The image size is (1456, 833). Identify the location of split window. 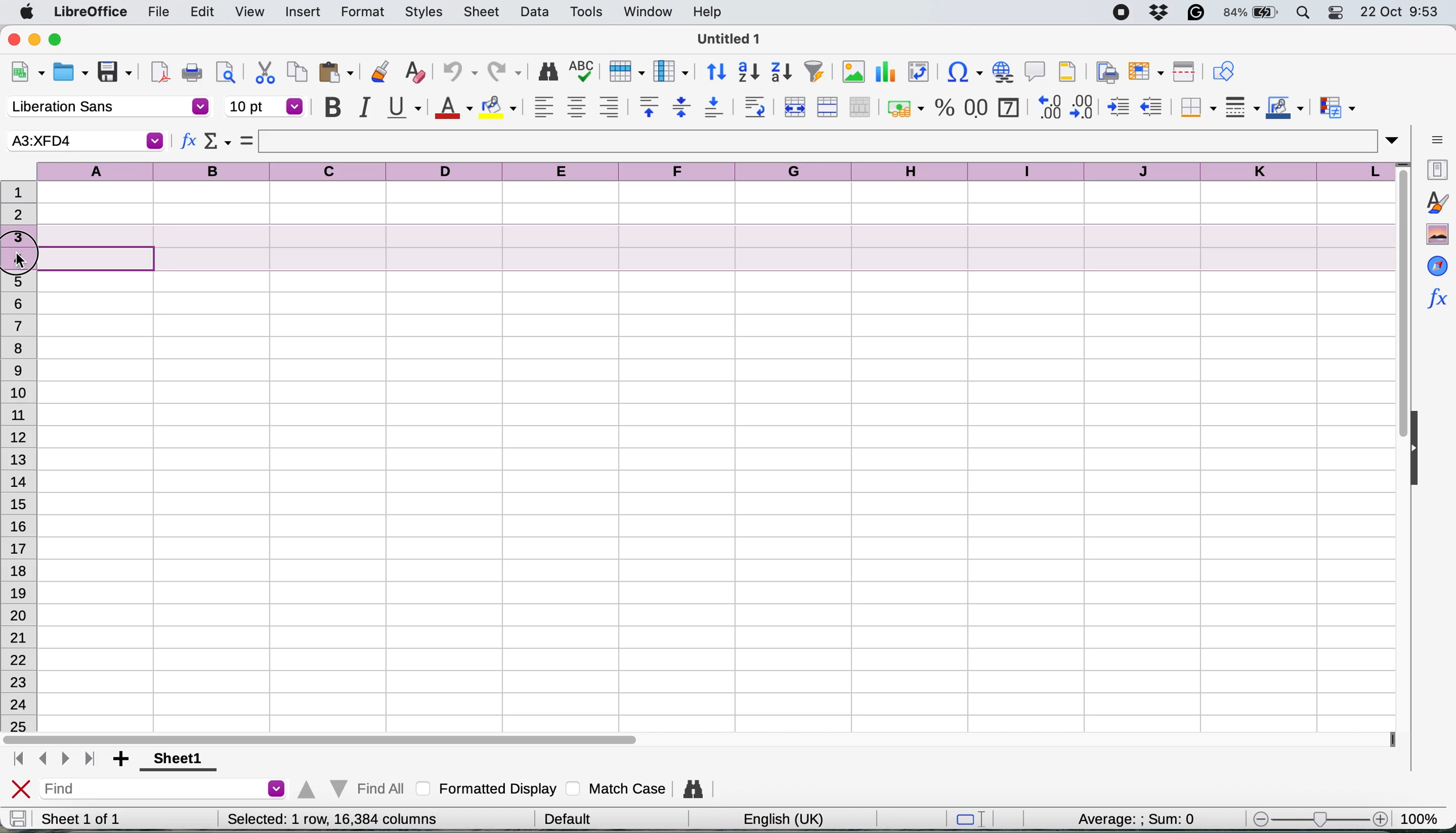
(1181, 72).